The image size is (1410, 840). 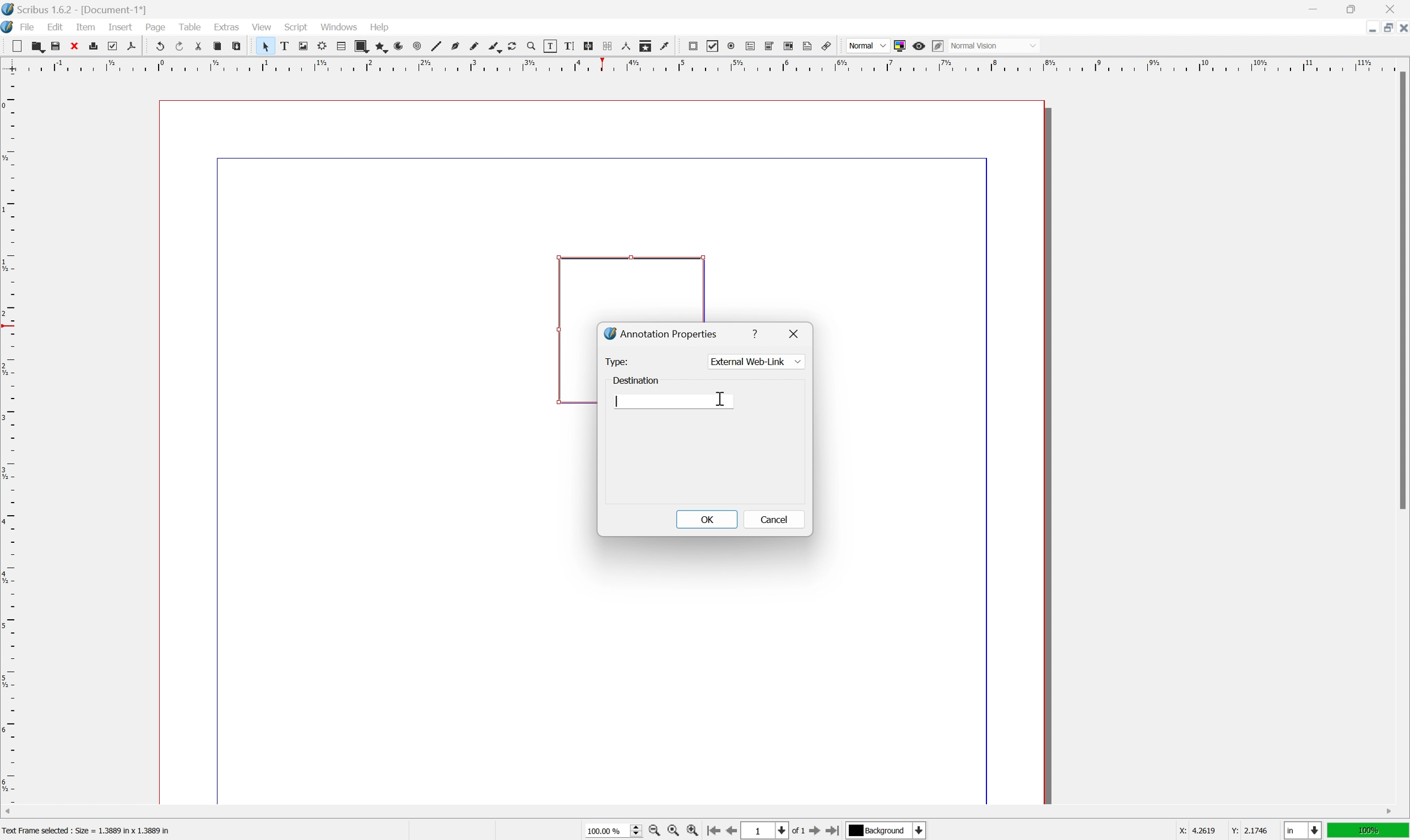 What do you see at coordinates (770, 46) in the screenshot?
I see `pdf combo box` at bounding box center [770, 46].